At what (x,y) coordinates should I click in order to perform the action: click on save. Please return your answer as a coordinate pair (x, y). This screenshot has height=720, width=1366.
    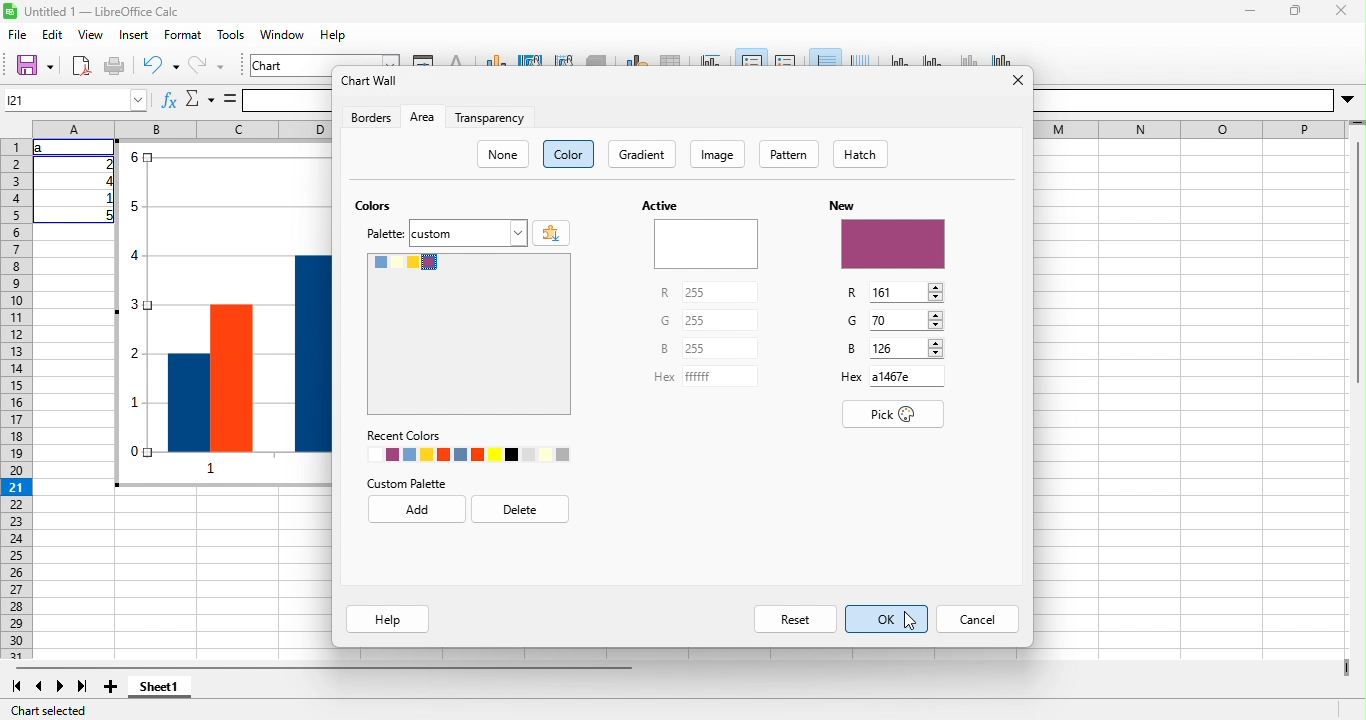
    Looking at the image, I should click on (34, 66).